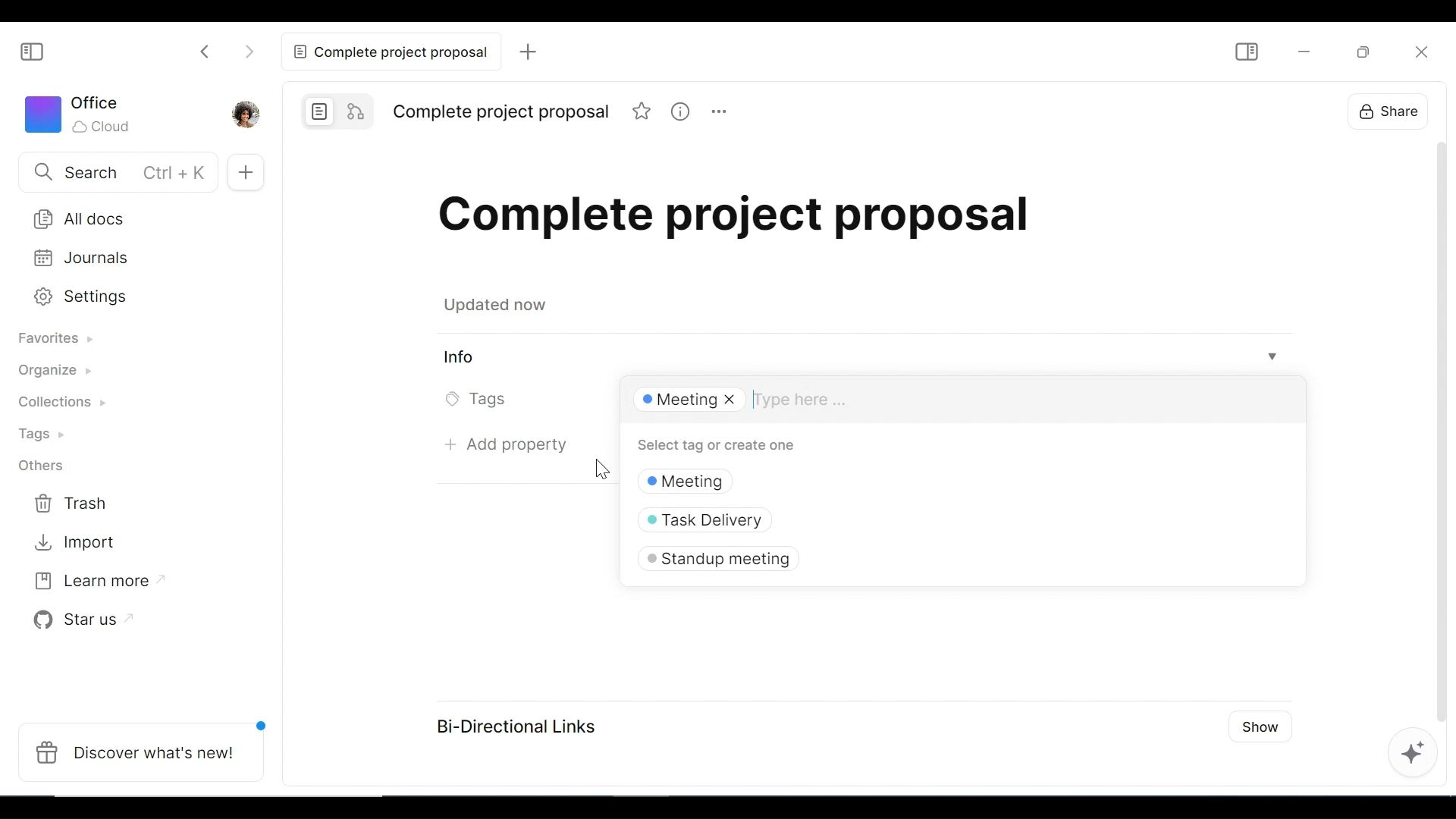  Describe the element at coordinates (72, 504) in the screenshot. I see `Trash` at that location.